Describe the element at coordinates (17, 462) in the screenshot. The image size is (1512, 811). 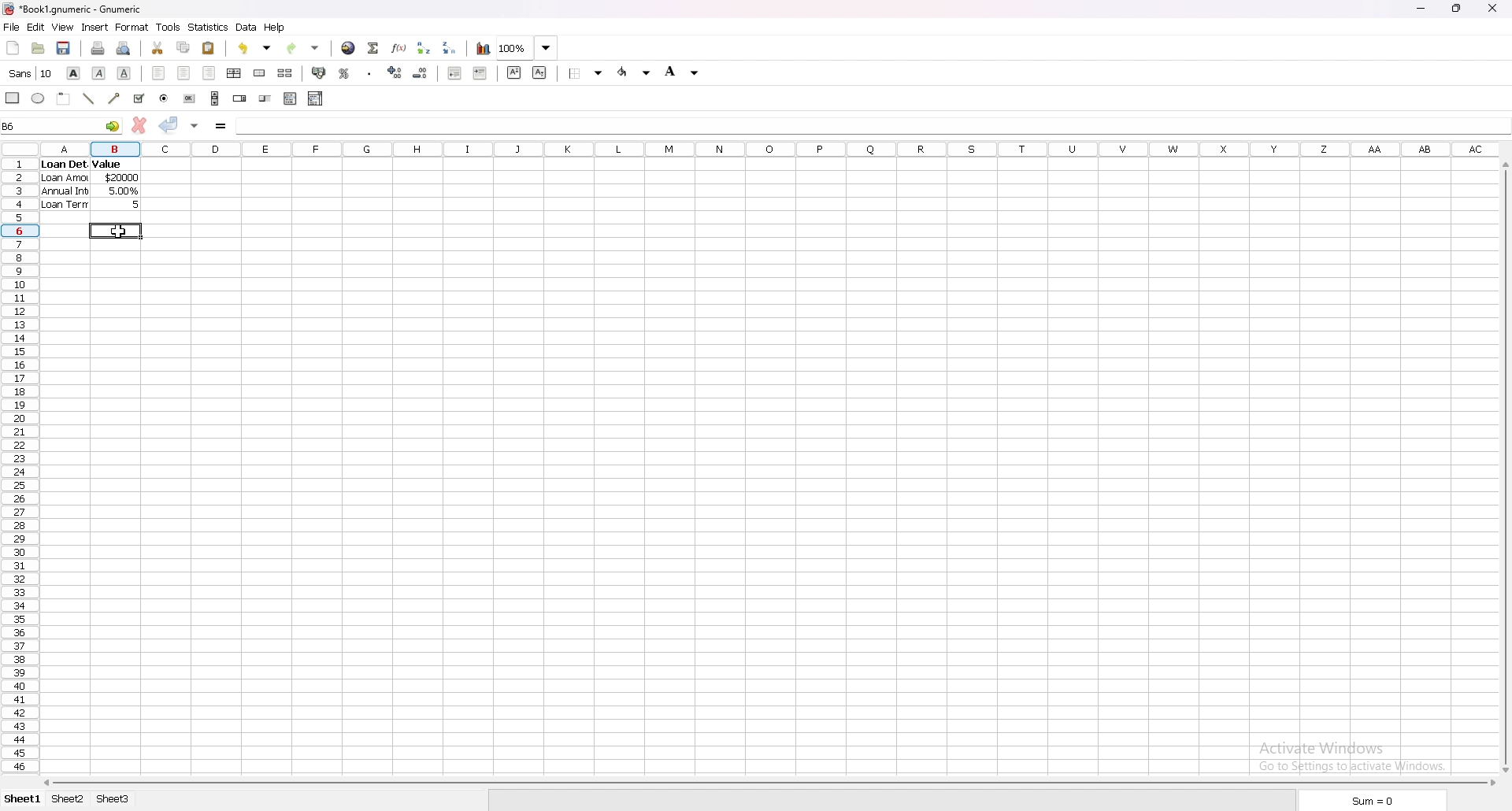
I see `row` at that location.